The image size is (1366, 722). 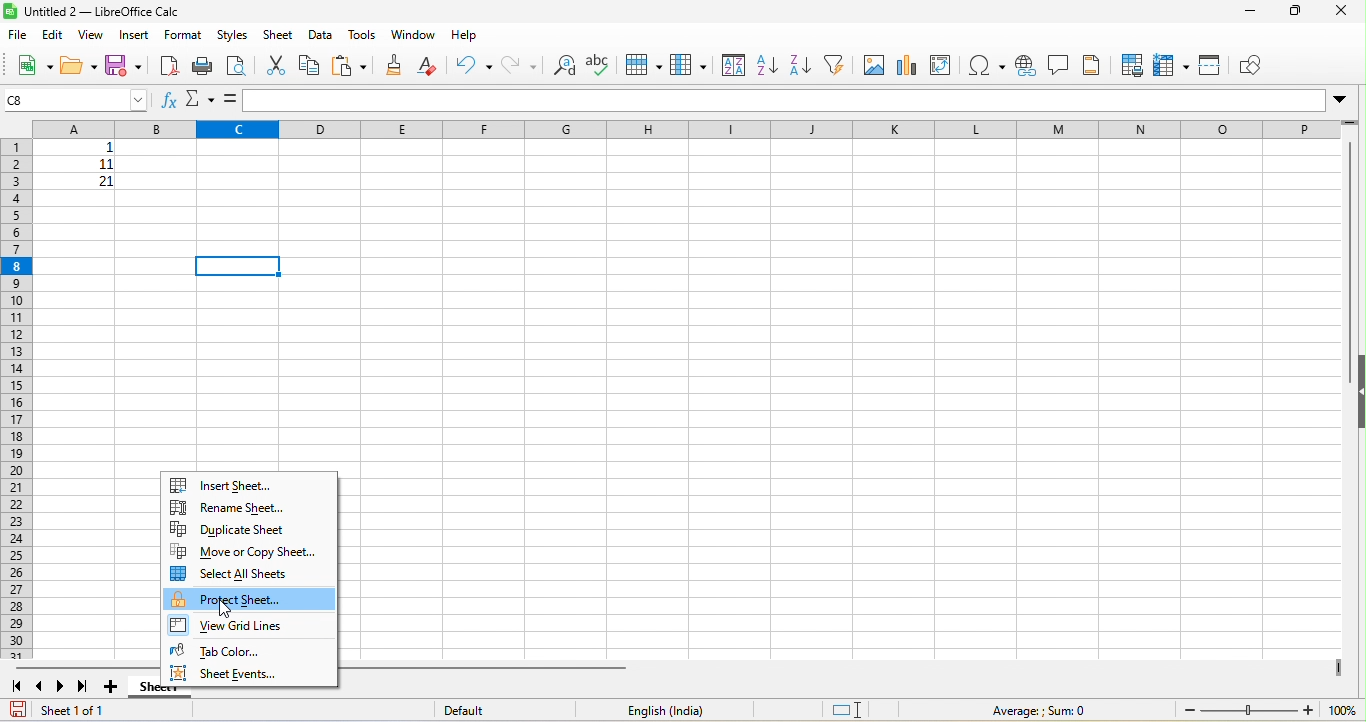 I want to click on split window, so click(x=1211, y=67).